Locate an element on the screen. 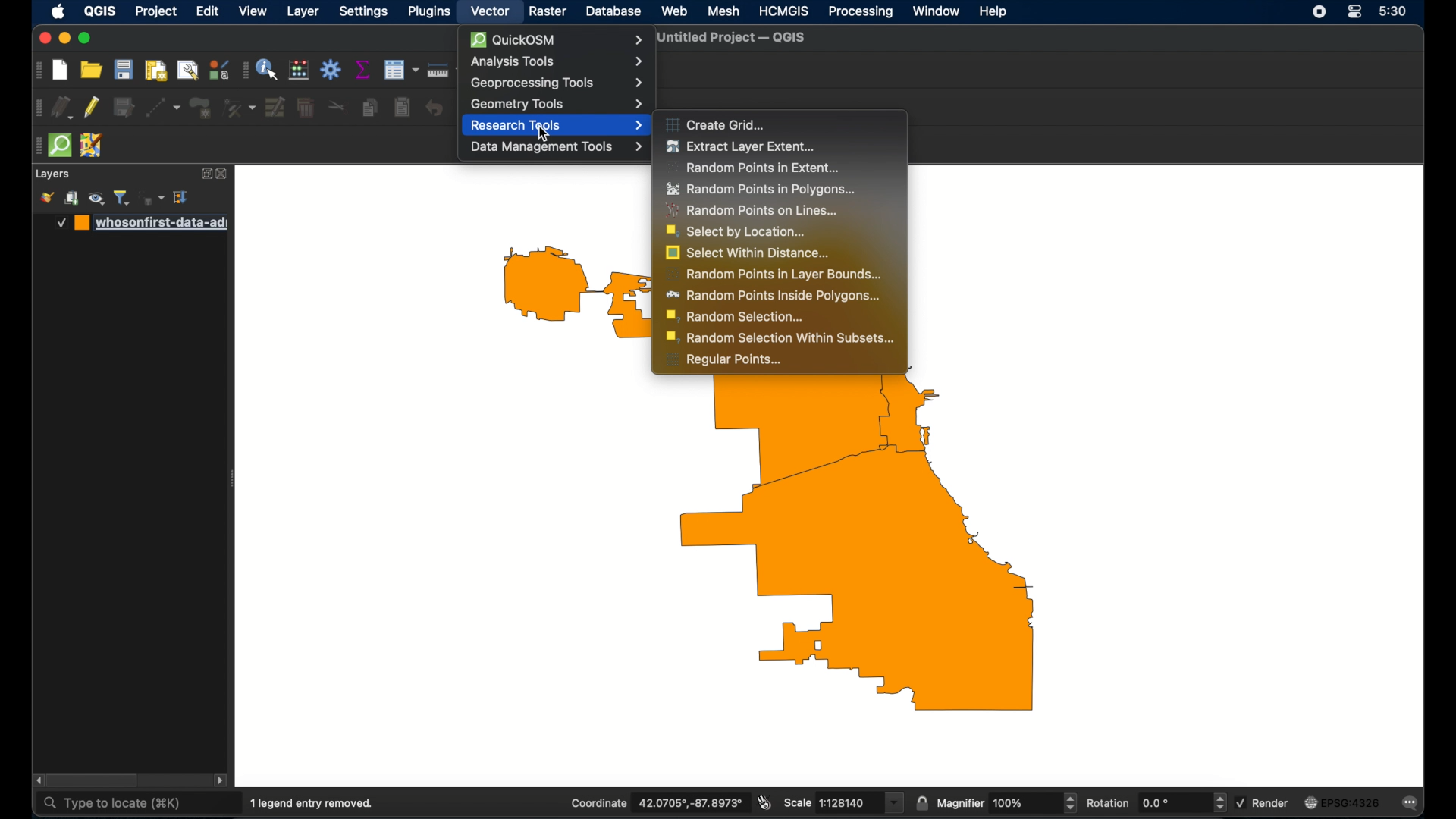 This screenshot has width=1456, height=819. save project is located at coordinates (124, 70).